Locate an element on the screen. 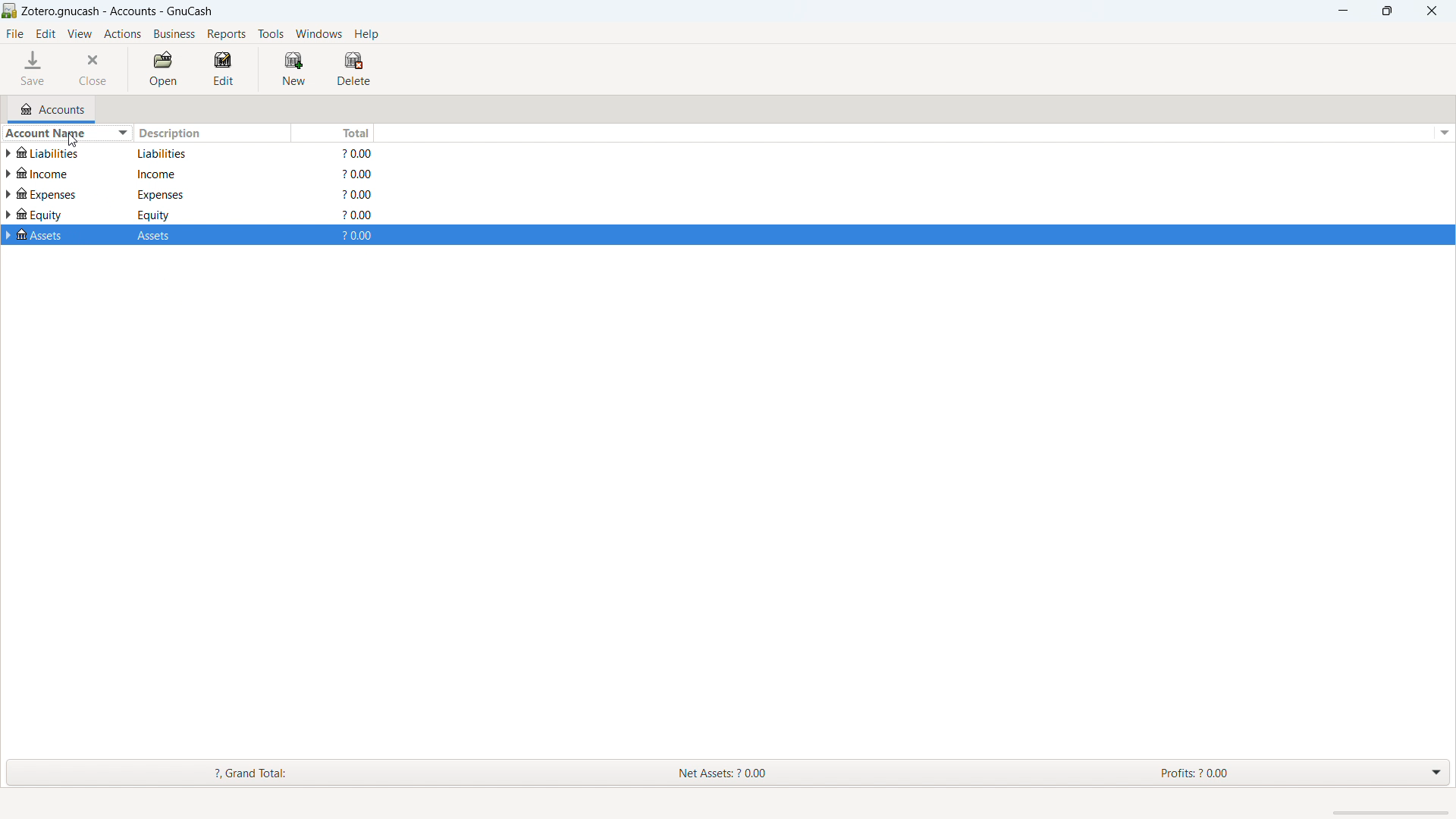 This screenshot has height=819, width=1456. maximize is located at coordinates (1386, 11).